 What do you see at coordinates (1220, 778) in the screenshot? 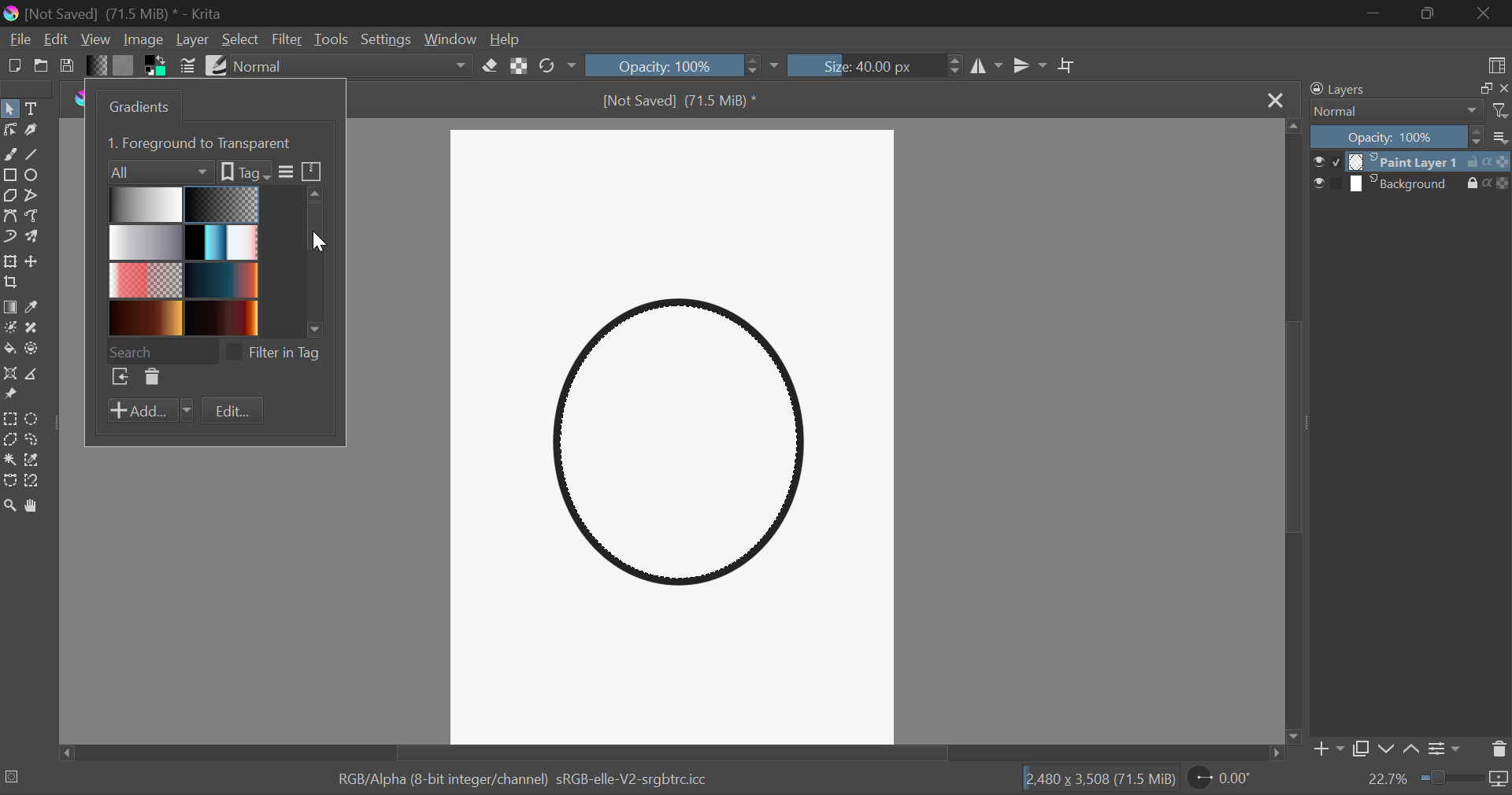
I see `Rotate Page ` at bounding box center [1220, 778].